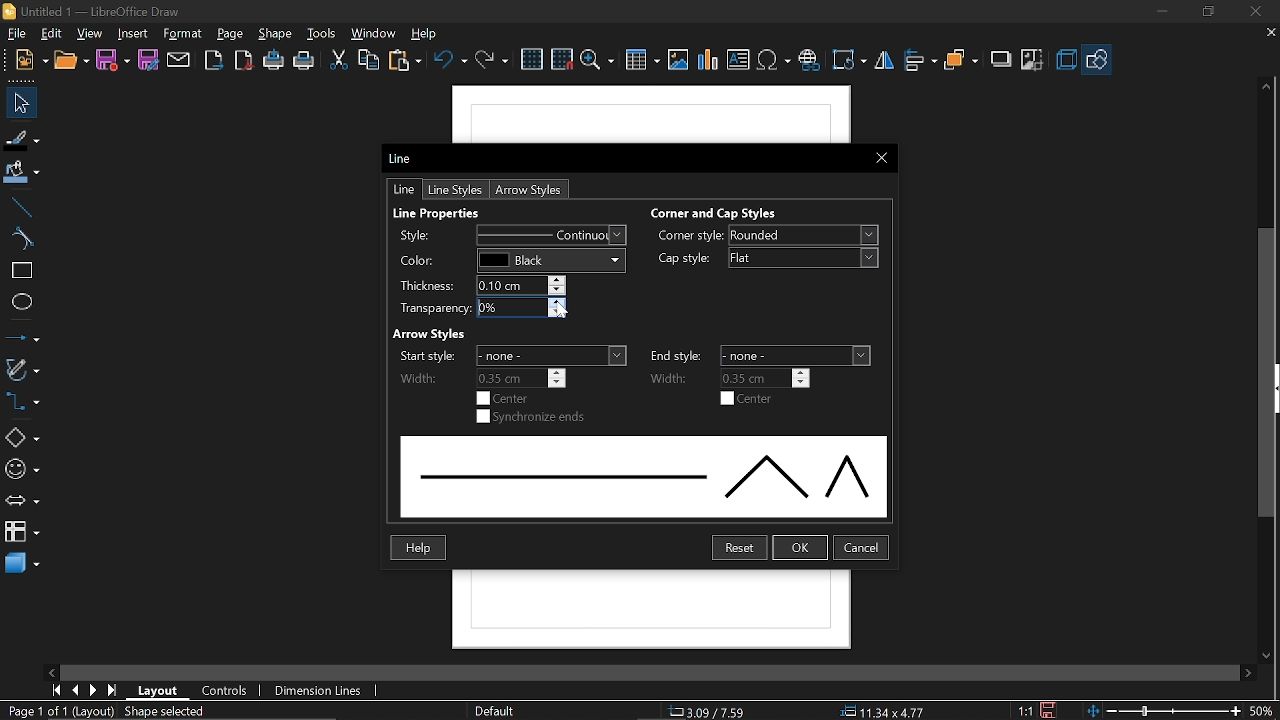 This screenshot has height=720, width=1280. Describe the element at coordinates (112, 60) in the screenshot. I see `save ` at that location.